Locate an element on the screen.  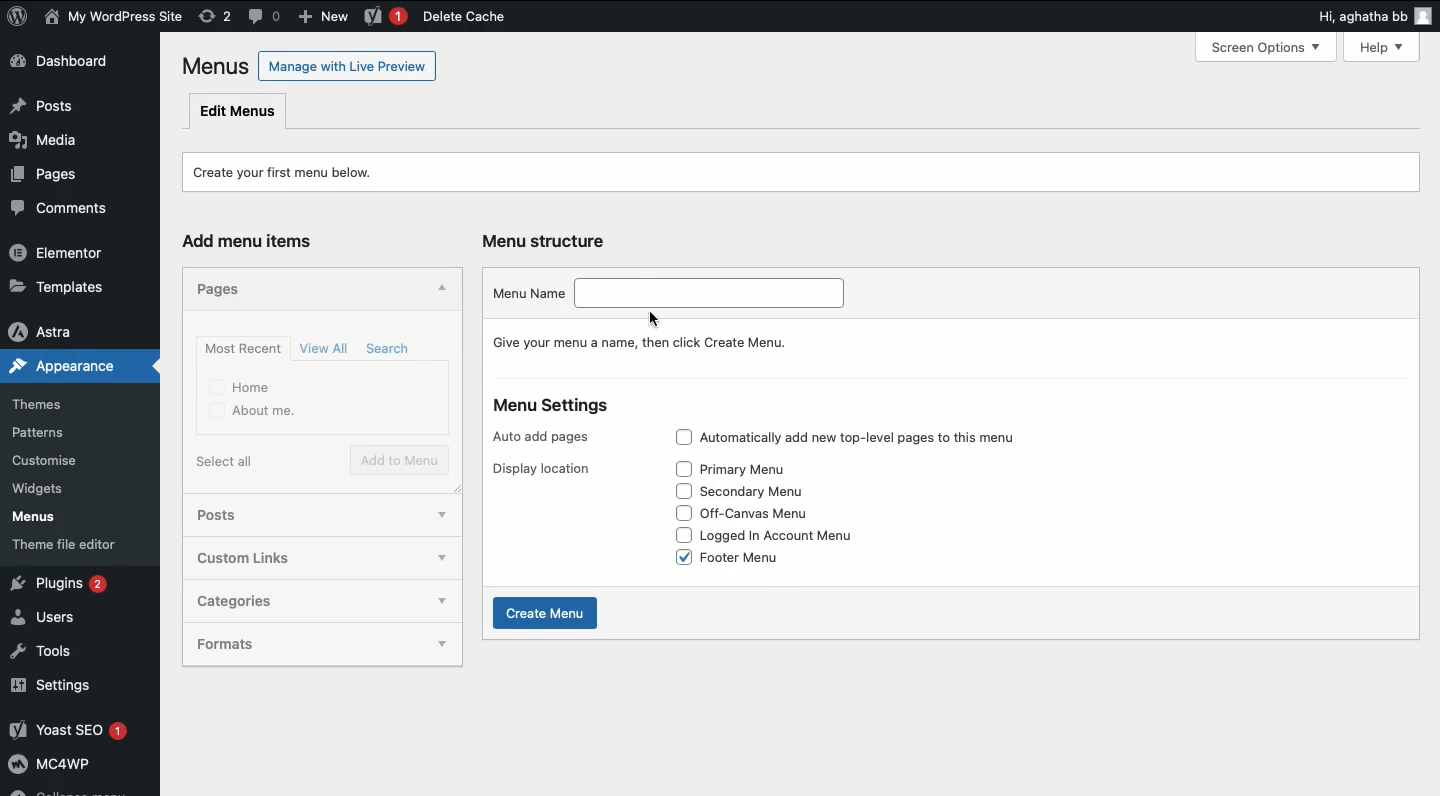
Create your first menu below is located at coordinates (292, 173).